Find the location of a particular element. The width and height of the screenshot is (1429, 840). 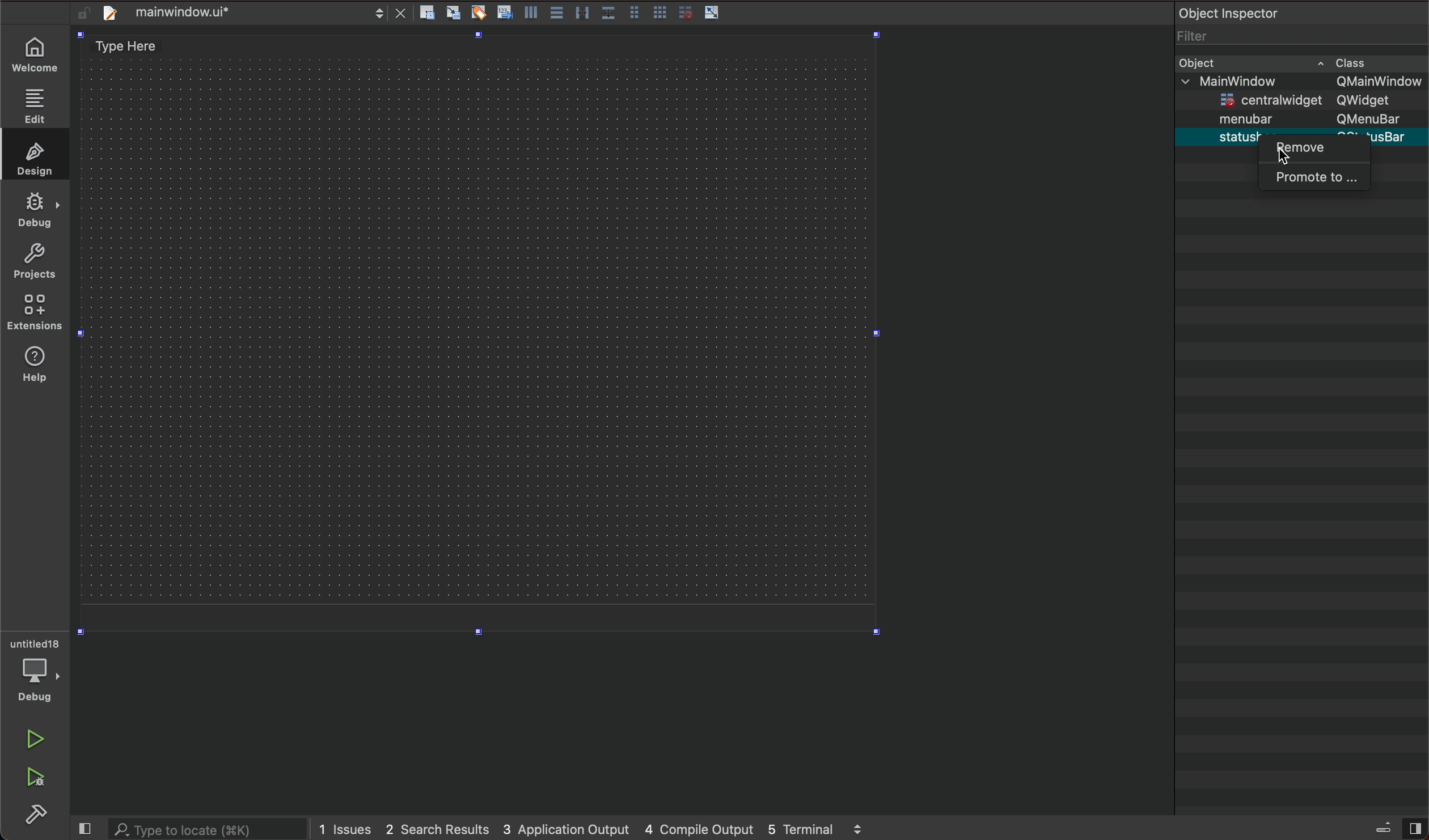

cursor is located at coordinates (1282, 154).